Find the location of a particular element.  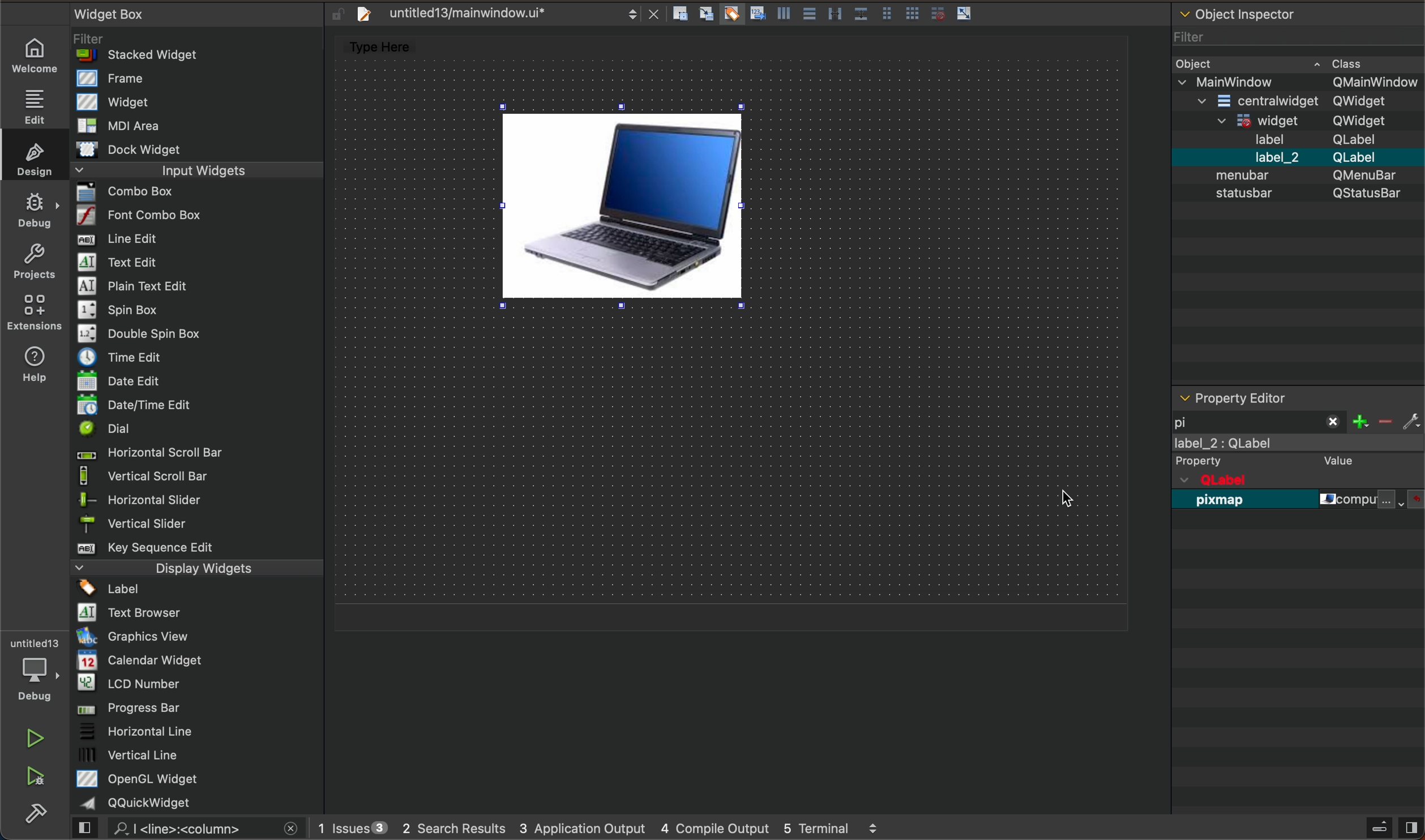

debugger is located at coordinates (33, 668).